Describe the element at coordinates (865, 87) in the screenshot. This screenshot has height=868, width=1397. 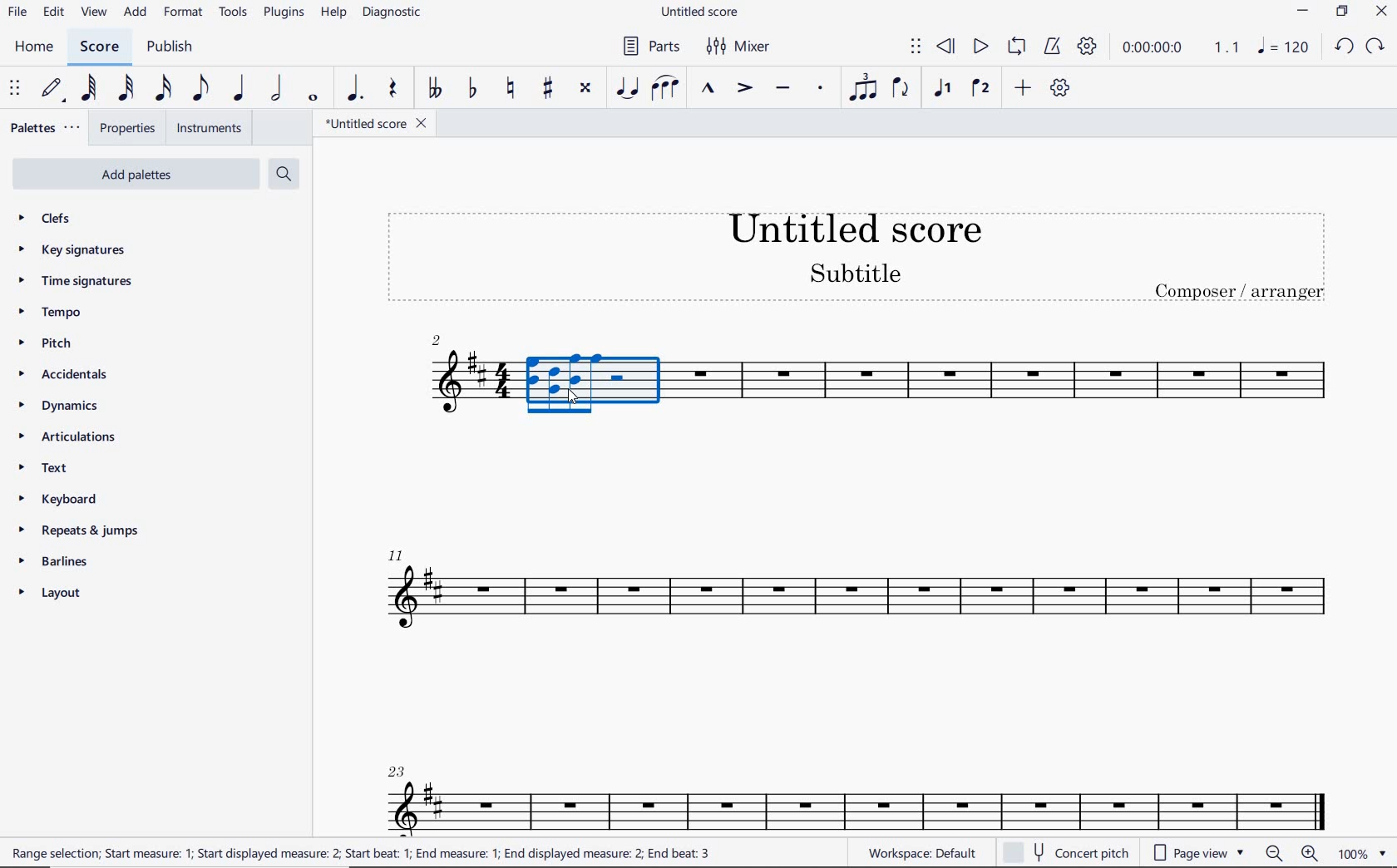
I see `TUPLET` at that location.